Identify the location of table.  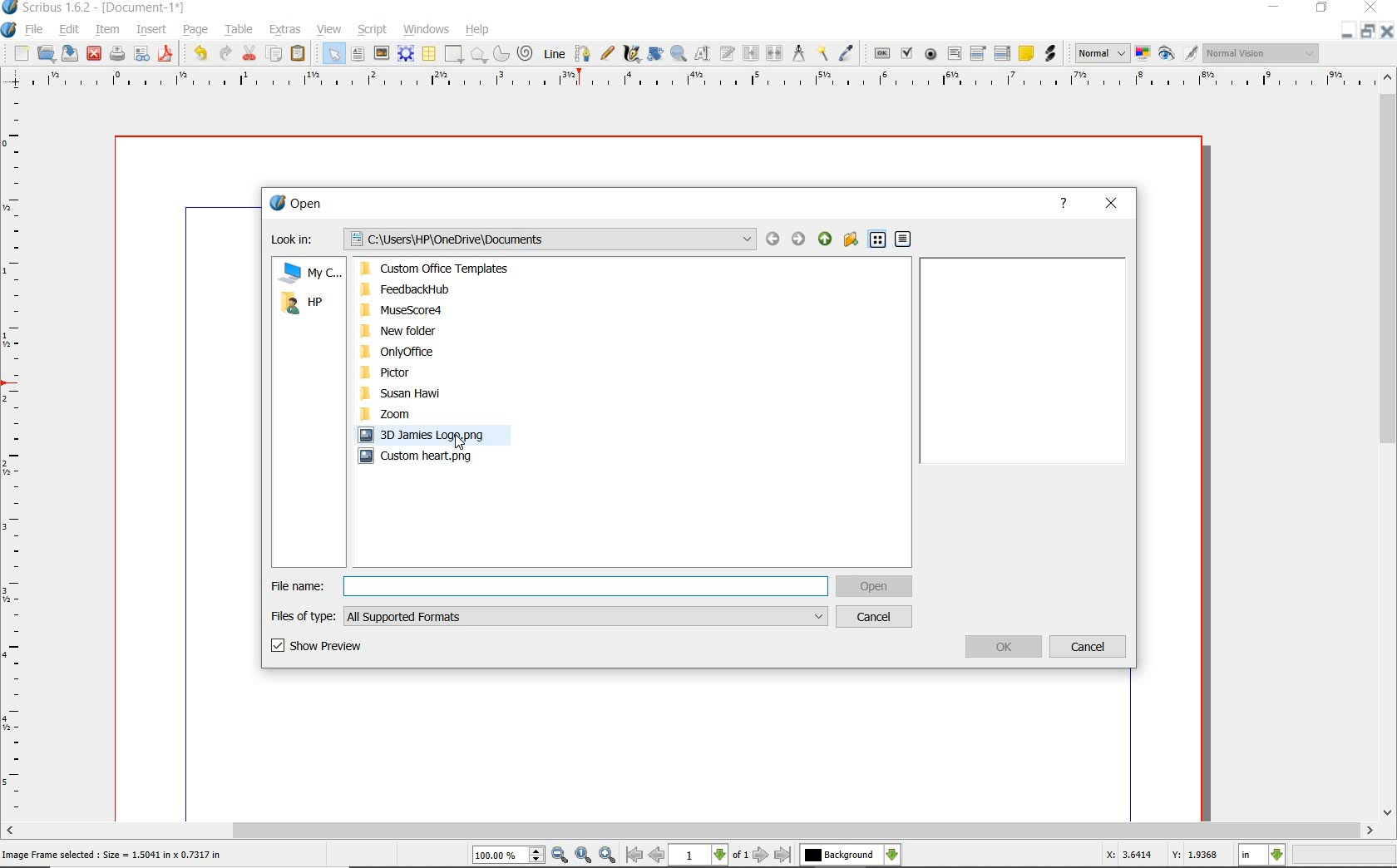
(240, 31).